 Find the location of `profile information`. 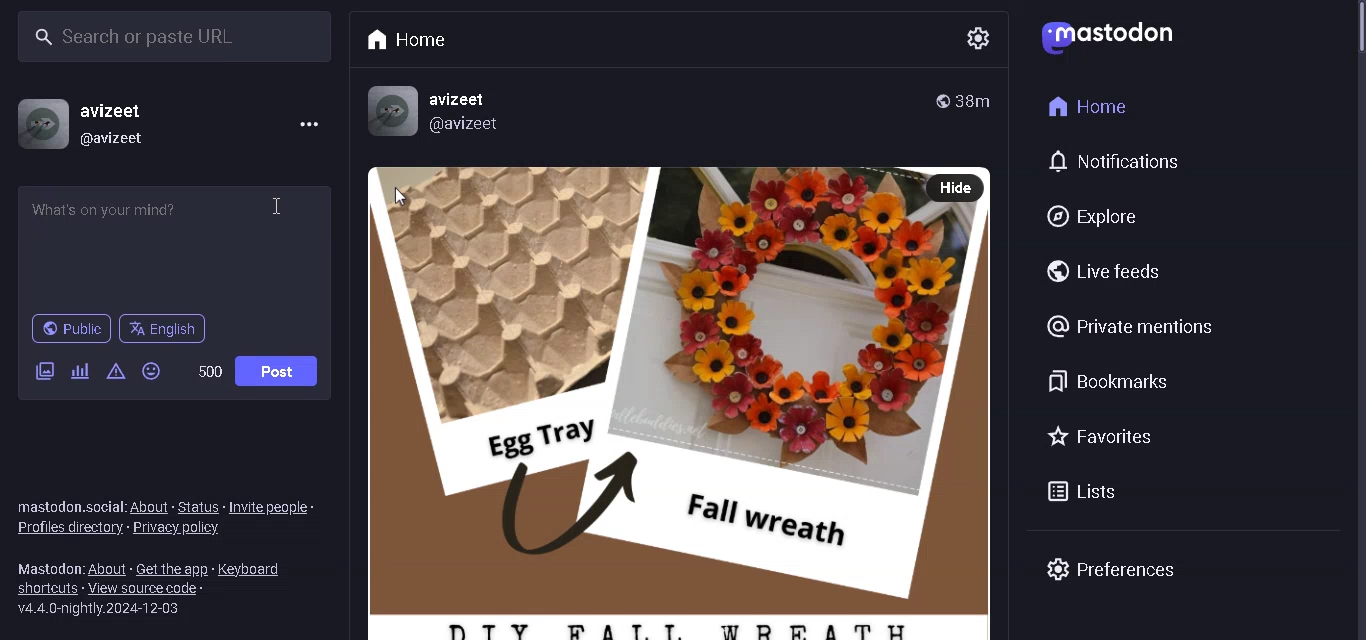

profile information is located at coordinates (437, 111).